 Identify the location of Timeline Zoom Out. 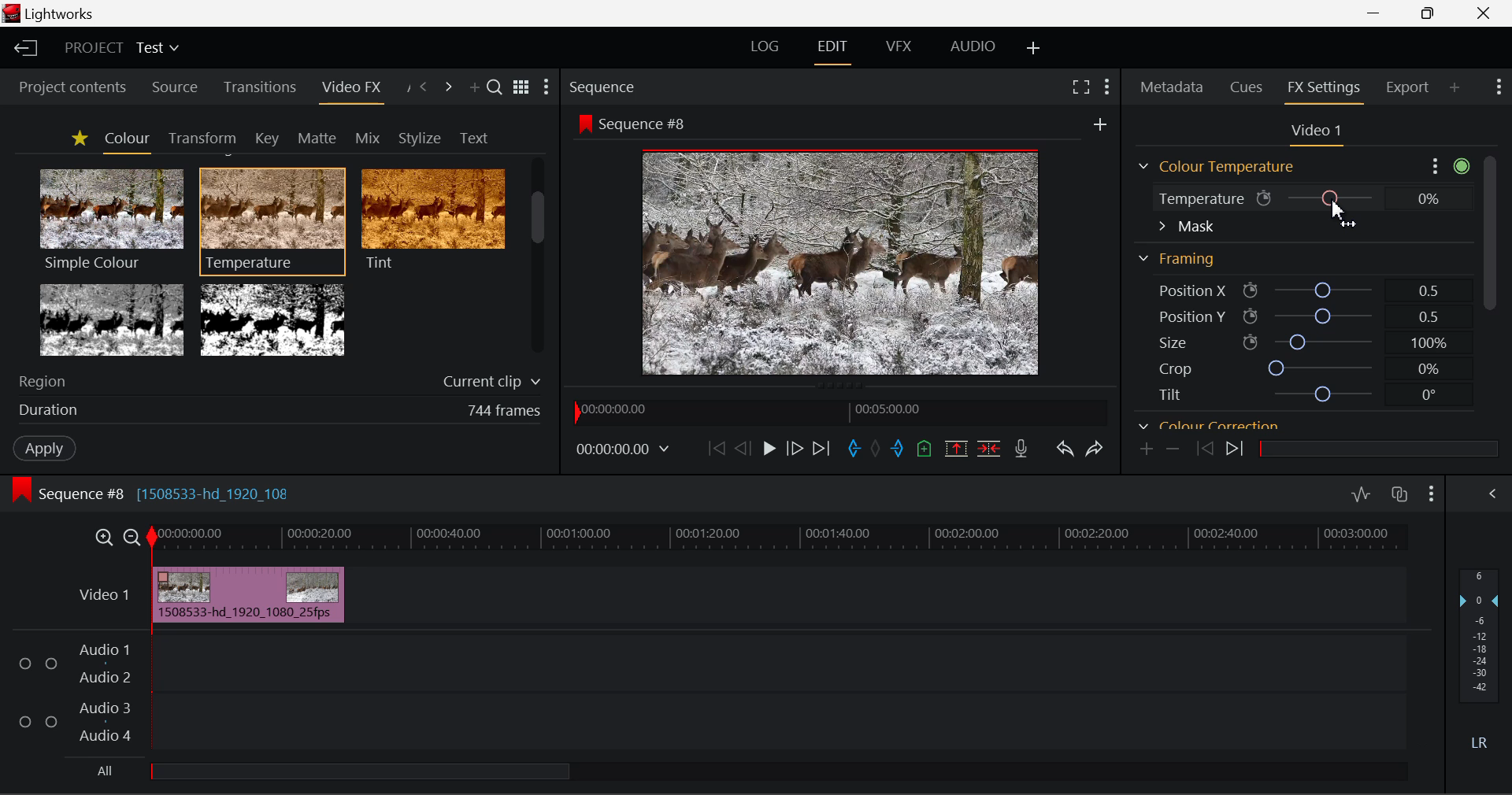
(134, 537).